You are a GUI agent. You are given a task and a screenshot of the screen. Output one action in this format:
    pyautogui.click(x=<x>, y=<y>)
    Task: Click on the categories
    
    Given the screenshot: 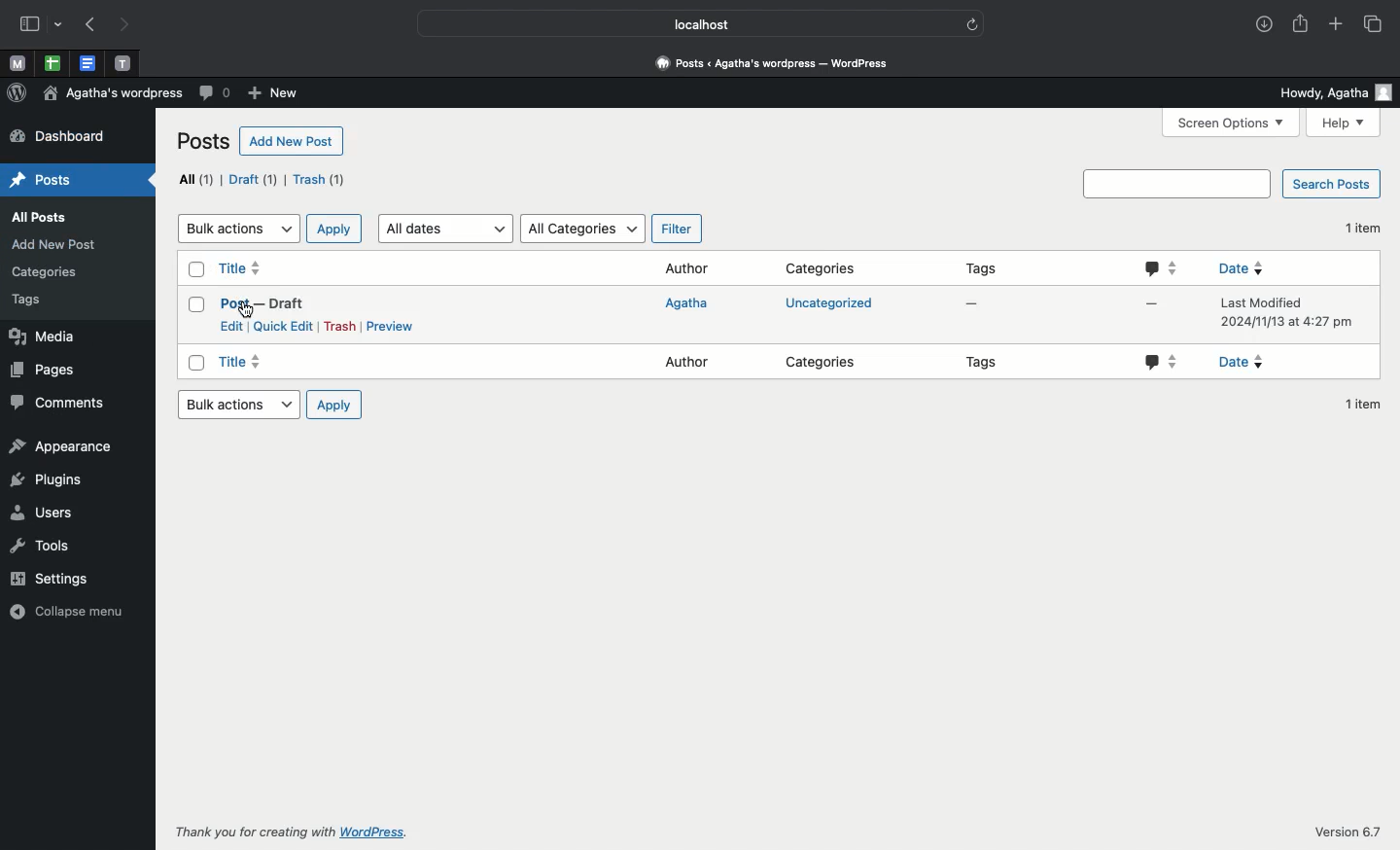 What is the action you would take?
    pyautogui.click(x=46, y=270)
    